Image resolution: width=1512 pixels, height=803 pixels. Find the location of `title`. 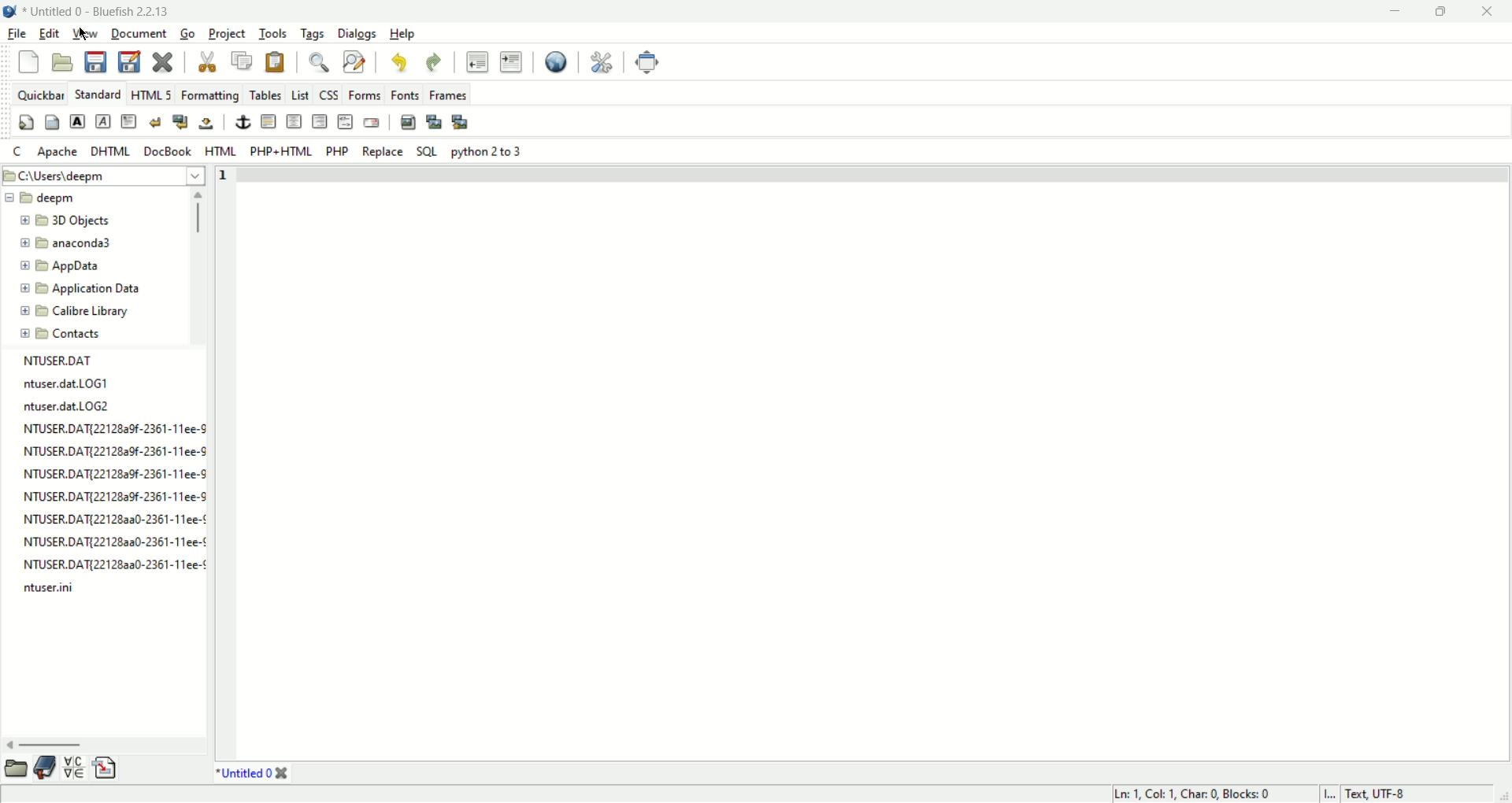

title is located at coordinates (253, 774).